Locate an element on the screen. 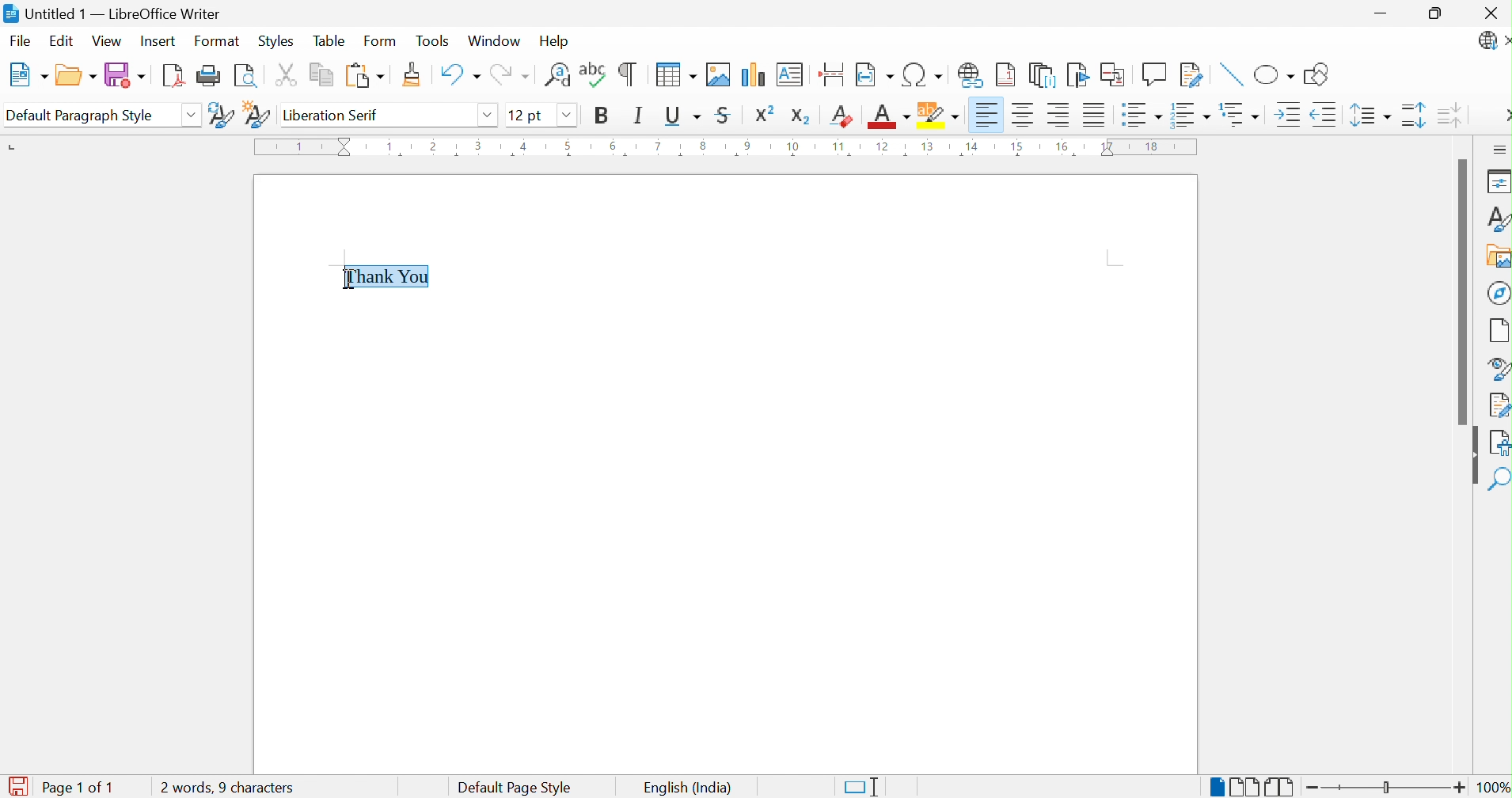 This screenshot has height=798, width=1512. Subscript is located at coordinates (801, 116).